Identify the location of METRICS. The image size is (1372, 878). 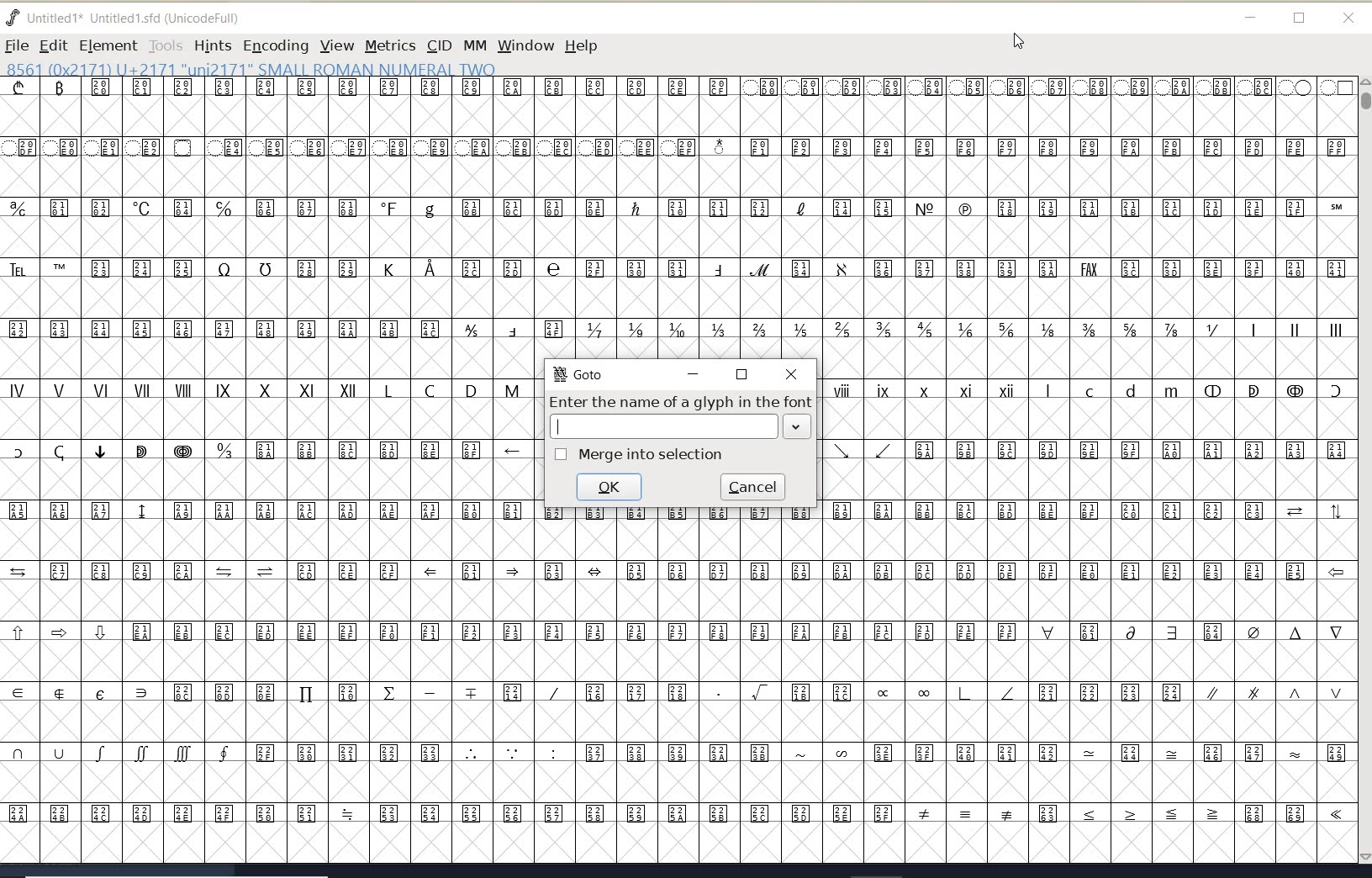
(390, 45).